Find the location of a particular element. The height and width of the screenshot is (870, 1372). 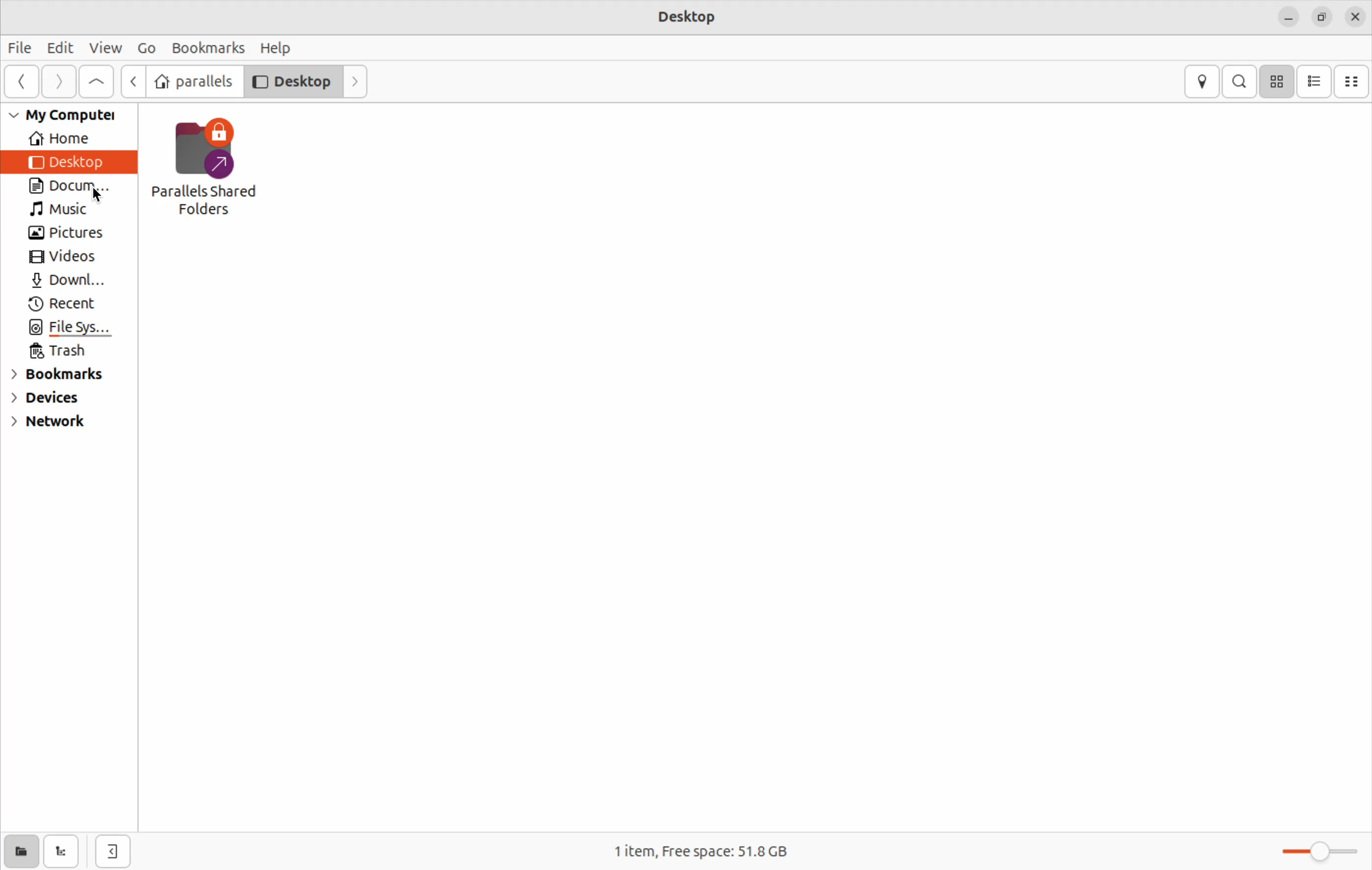

Videos is located at coordinates (66, 259).